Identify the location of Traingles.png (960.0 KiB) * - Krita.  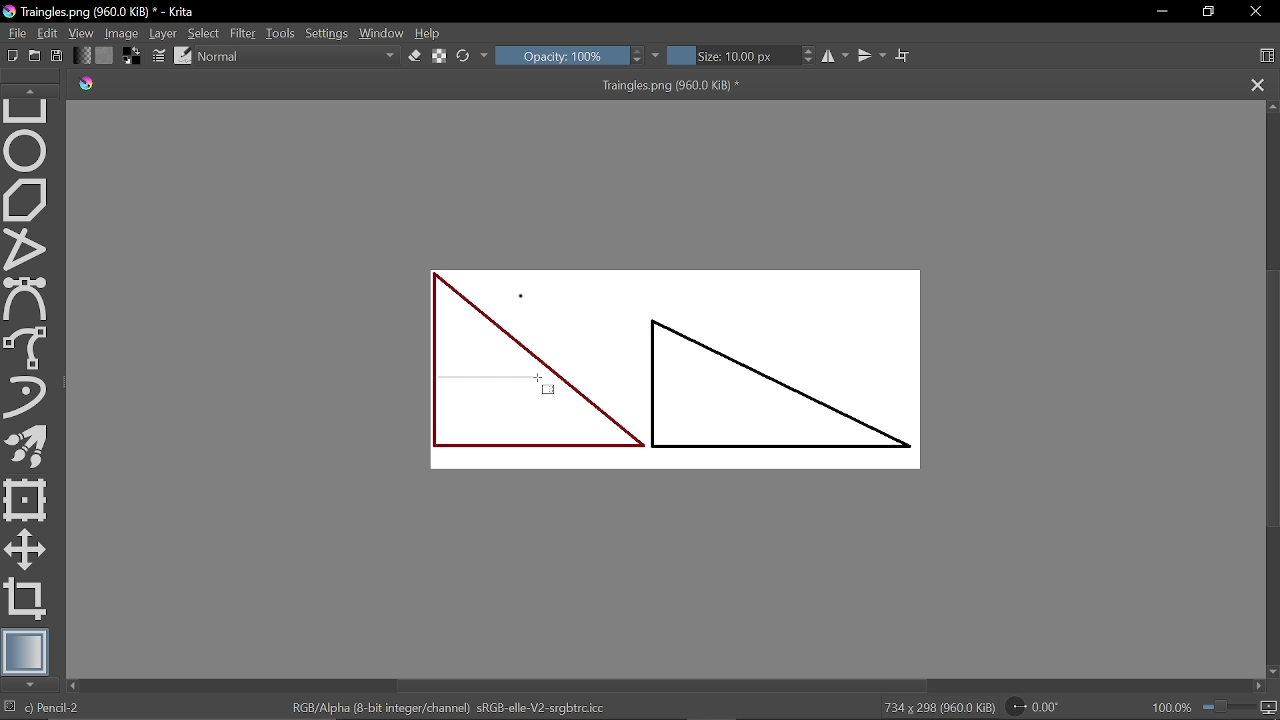
(99, 11).